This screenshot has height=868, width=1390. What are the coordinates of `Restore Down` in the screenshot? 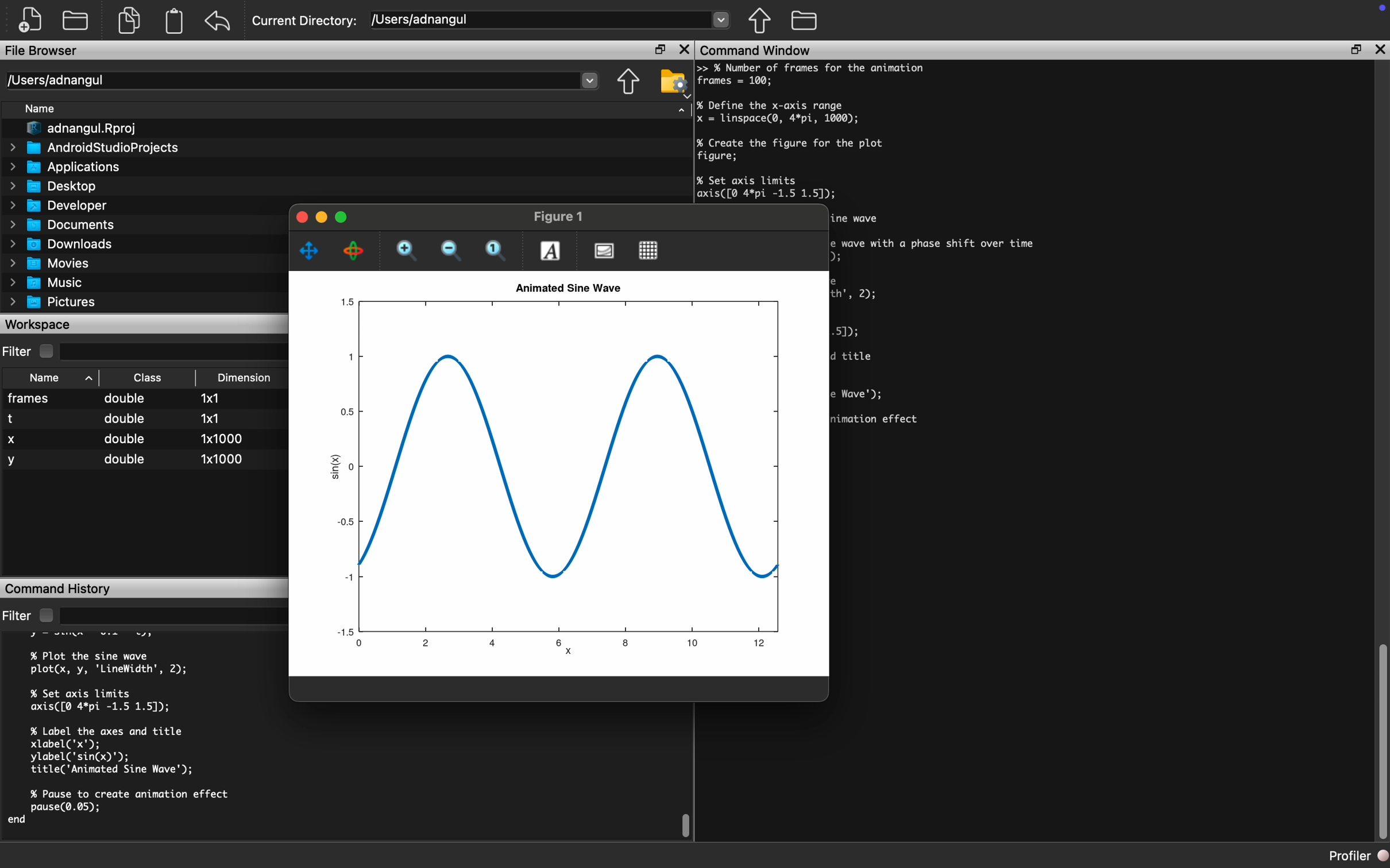 It's located at (1354, 51).